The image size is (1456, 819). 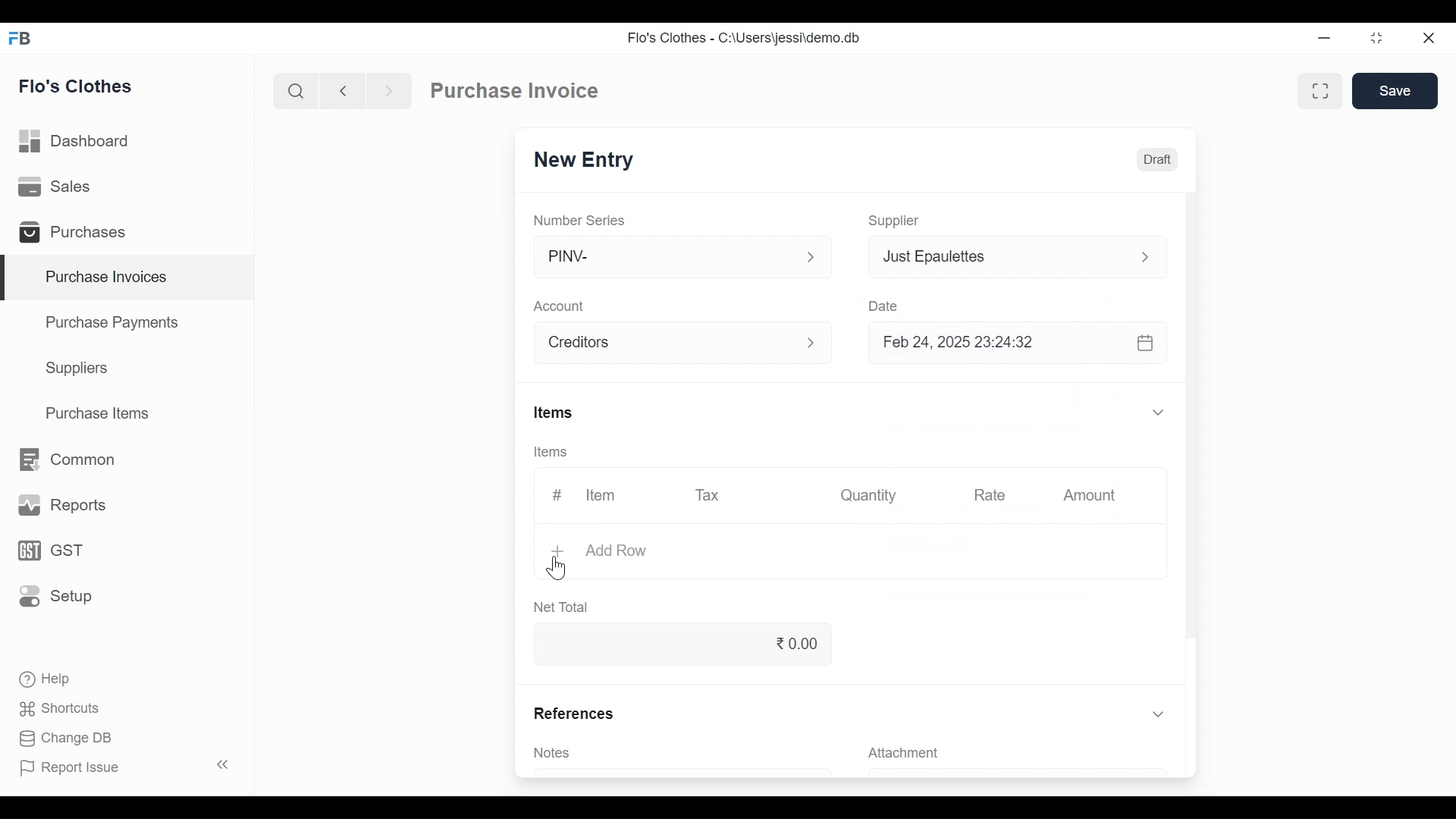 What do you see at coordinates (1326, 39) in the screenshot?
I see `minimize` at bounding box center [1326, 39].